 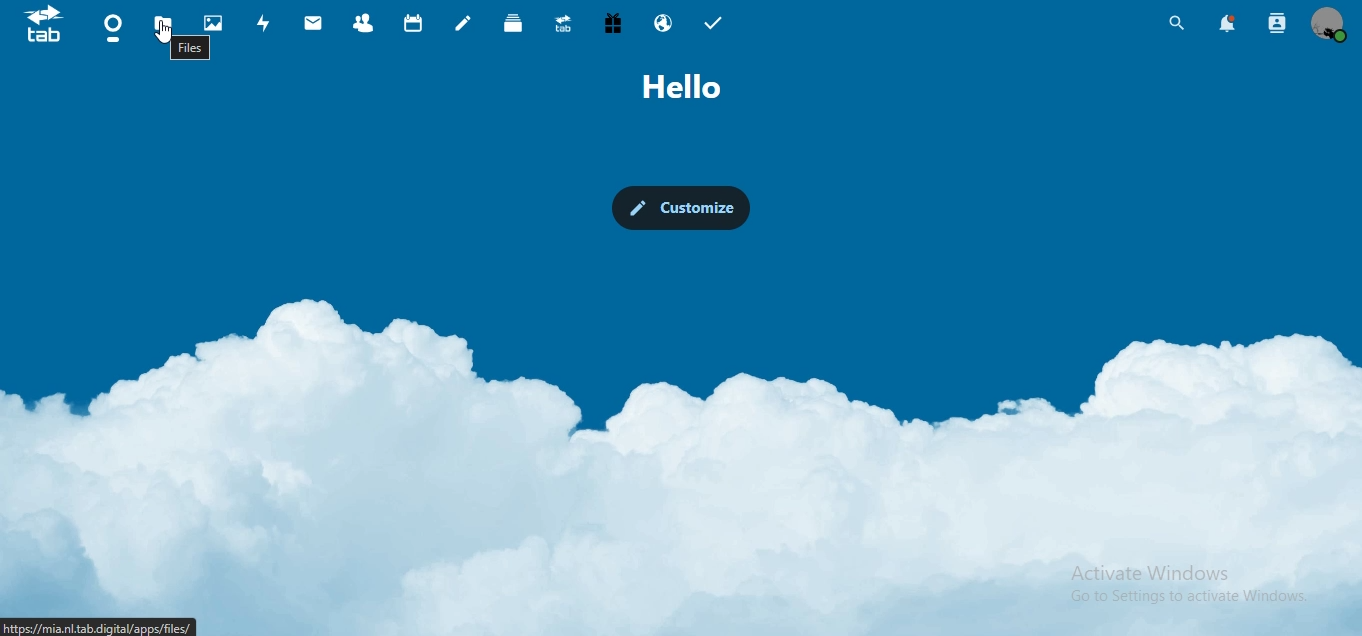 What do you see at coordinates (163, 34) in the screenshot?
I see `cursor` at bounding box center [163, 34].